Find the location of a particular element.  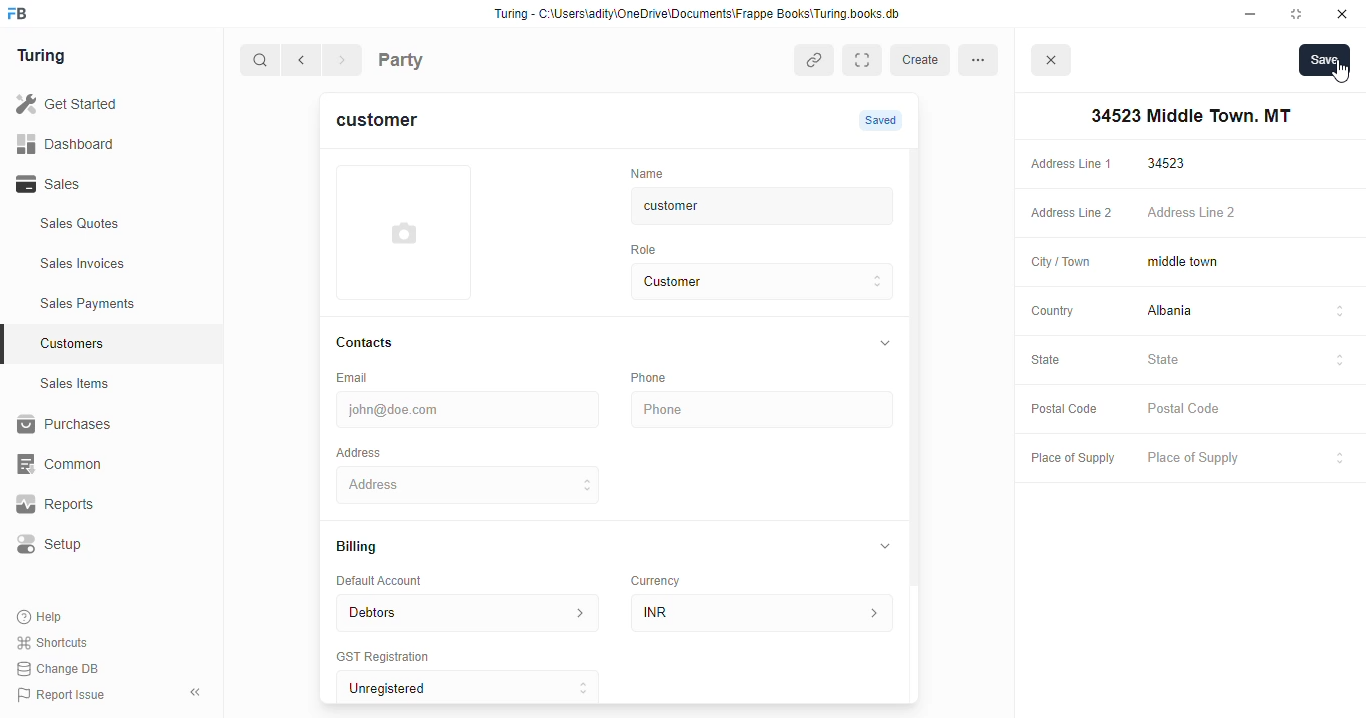

Billing is located at coordinates (366, 548).